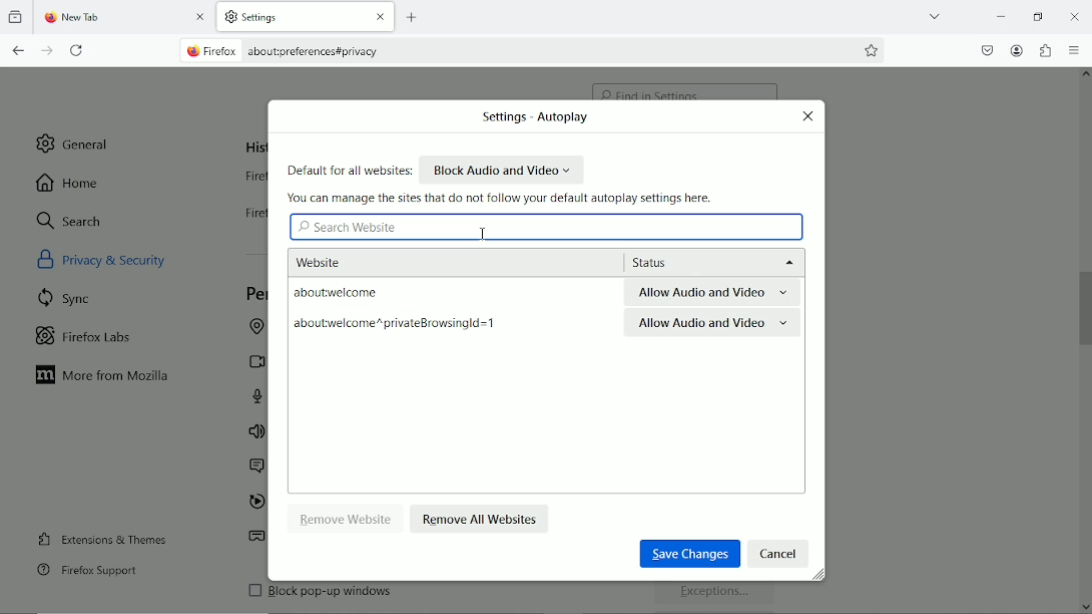 The image size is (1092, 614). I want to click on go back, so click(19, 50).